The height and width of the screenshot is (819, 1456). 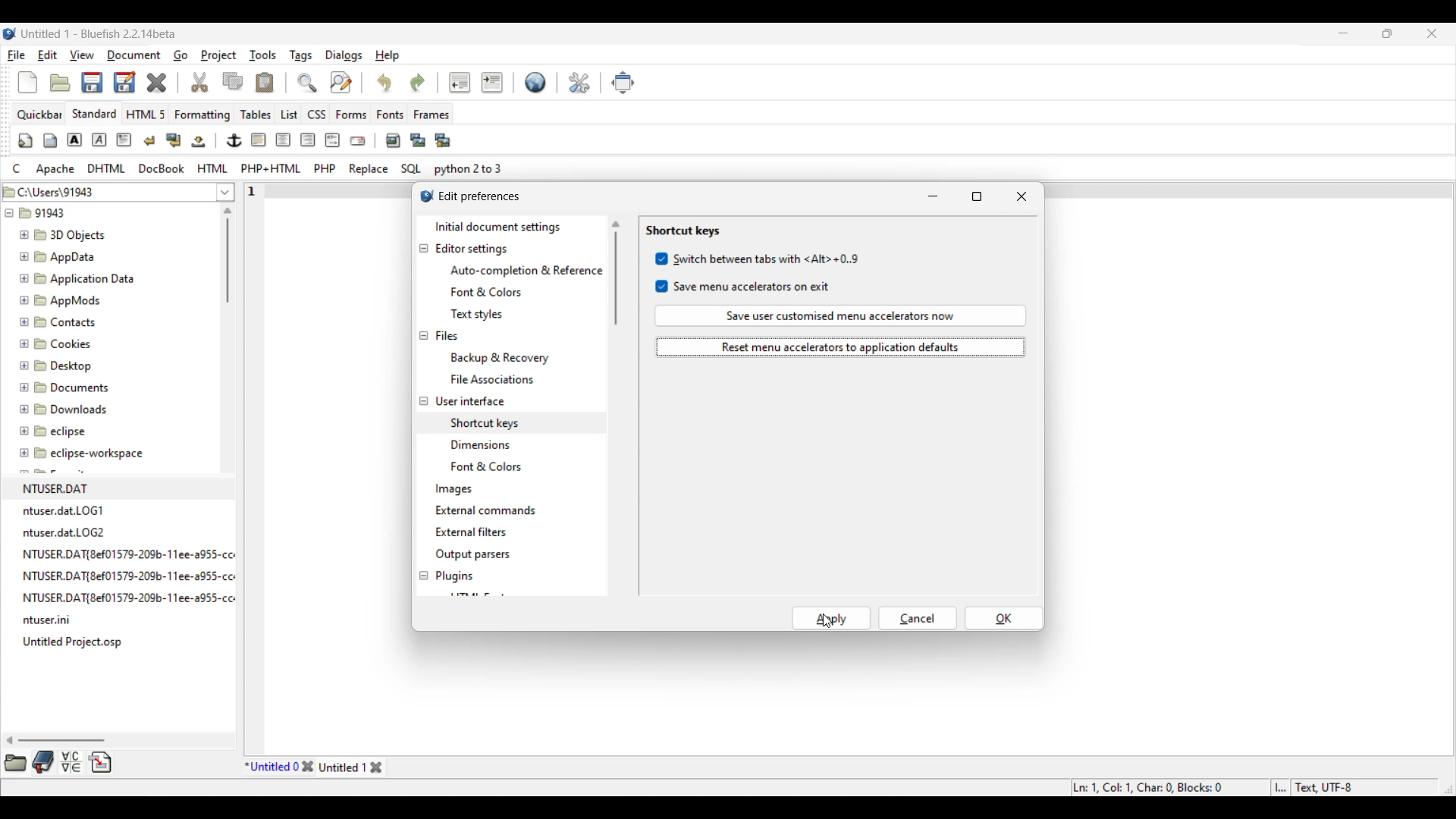 What do you see at coordinates (344, 55) in the screenshot?
I see `Dialogs menu` at bounding box center [344, 55].